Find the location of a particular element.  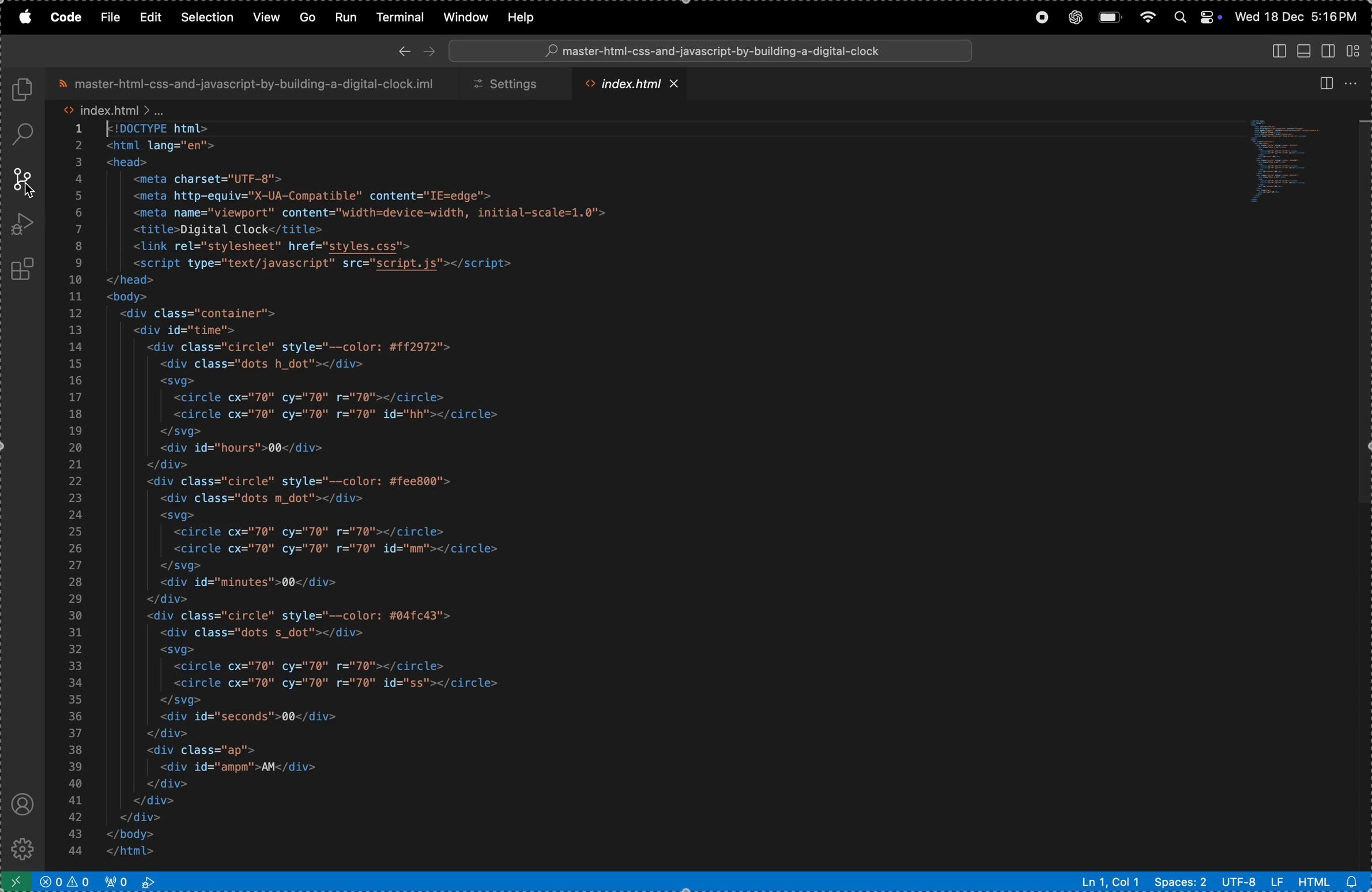

<svg> is located at coordinates (176, 651).